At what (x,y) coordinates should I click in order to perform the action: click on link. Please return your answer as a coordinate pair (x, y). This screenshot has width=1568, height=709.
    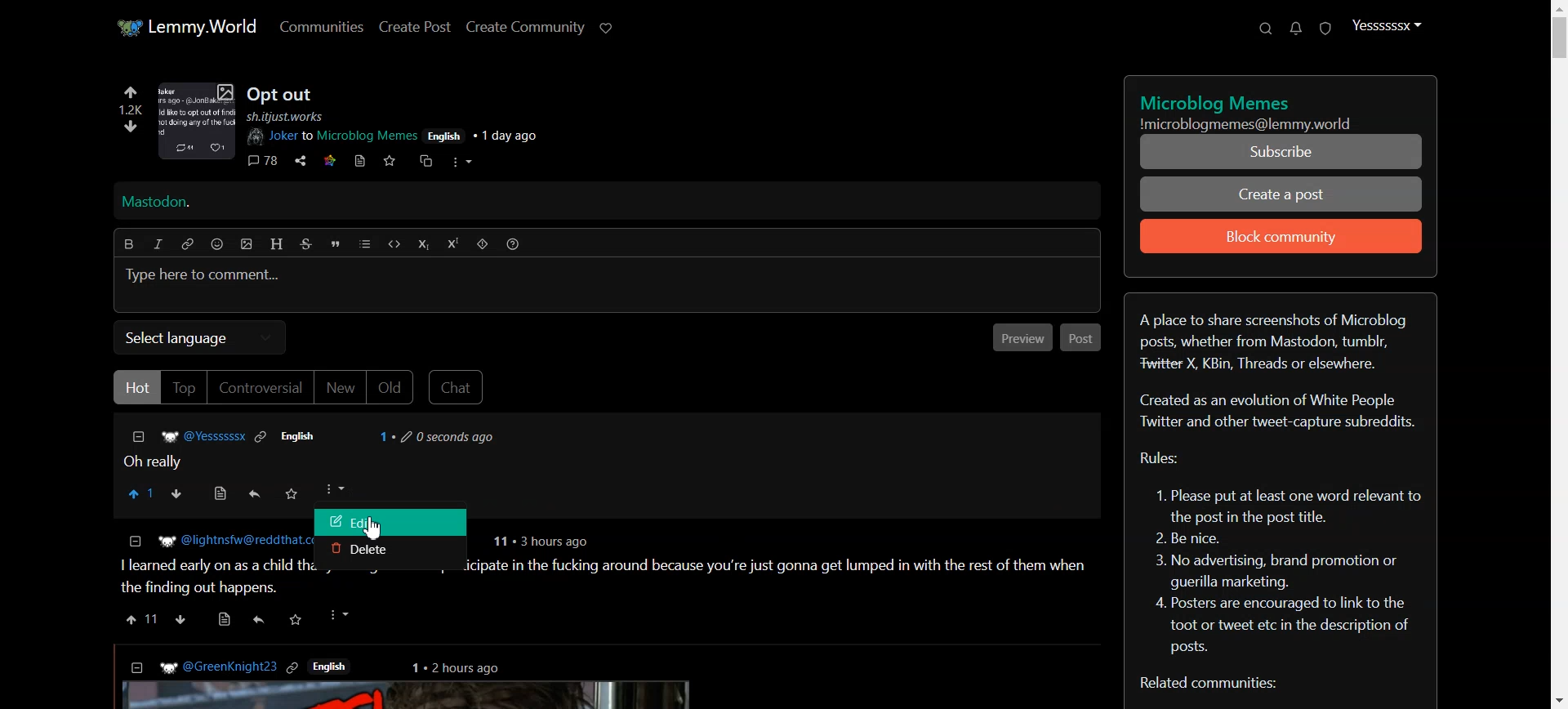
    Looking at the image, I should click on (328, 161).